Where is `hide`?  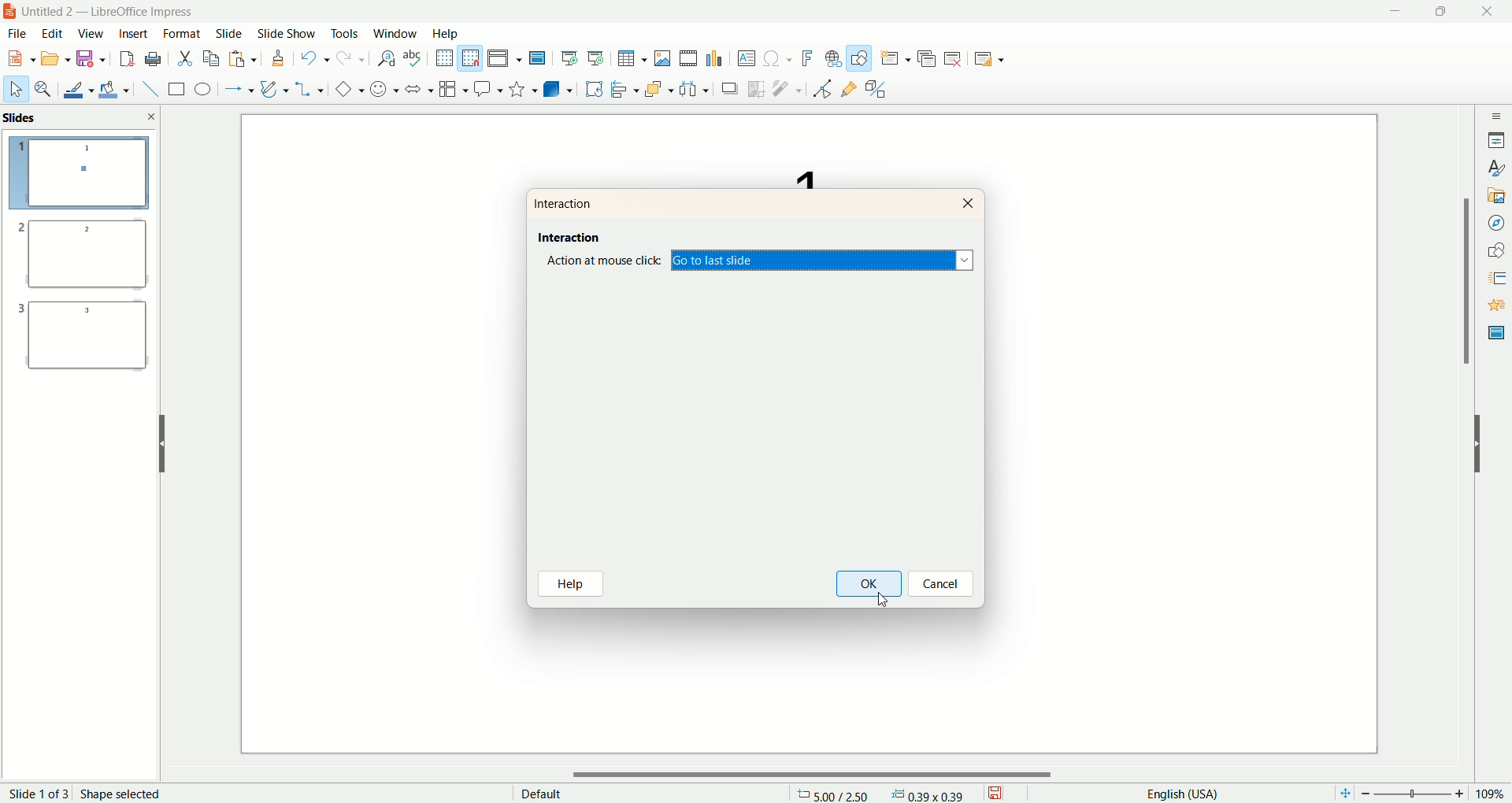 hide is located at coordinates (1485, 448).